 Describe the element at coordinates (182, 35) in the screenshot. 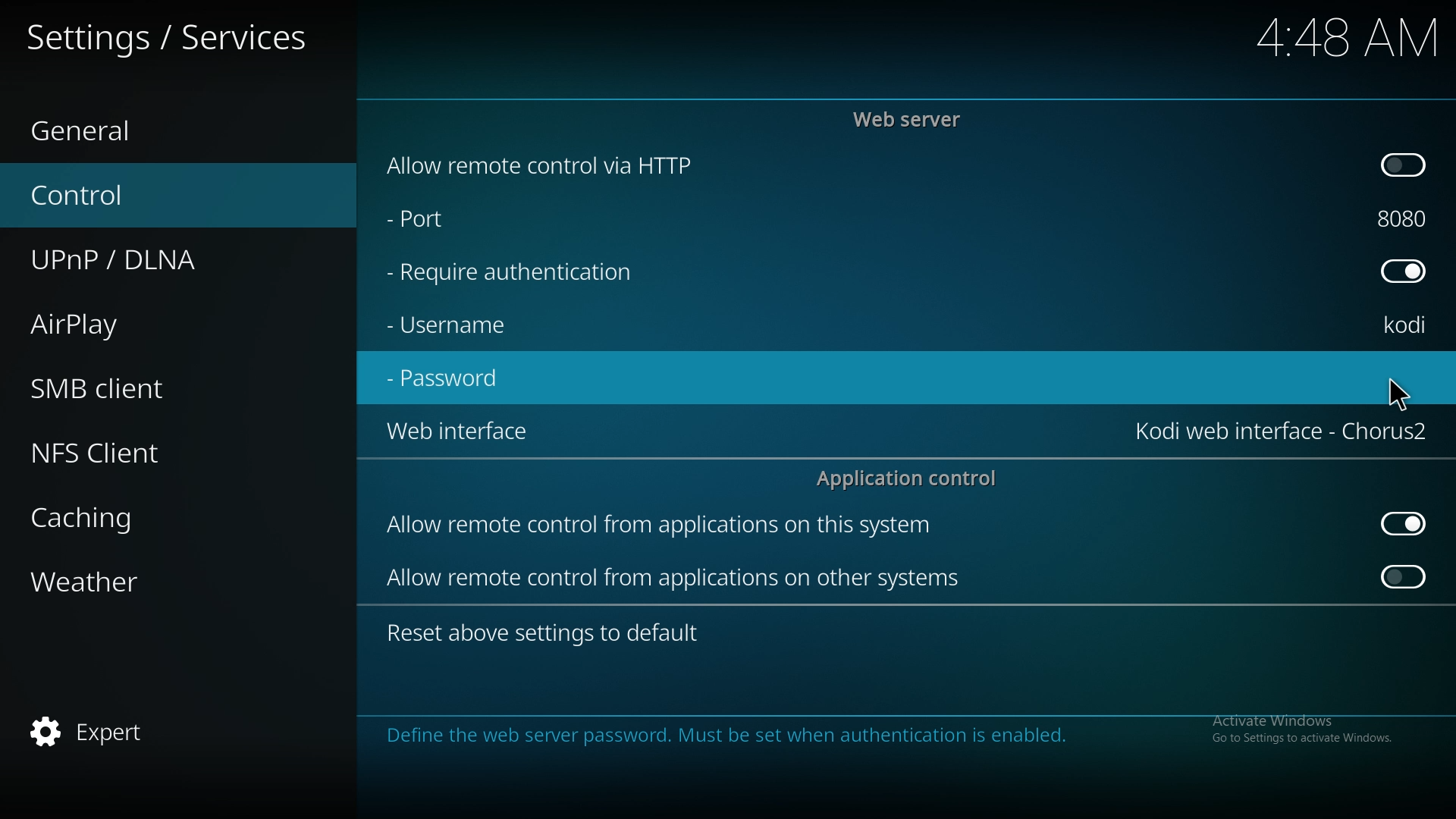

I see `services` at that location.